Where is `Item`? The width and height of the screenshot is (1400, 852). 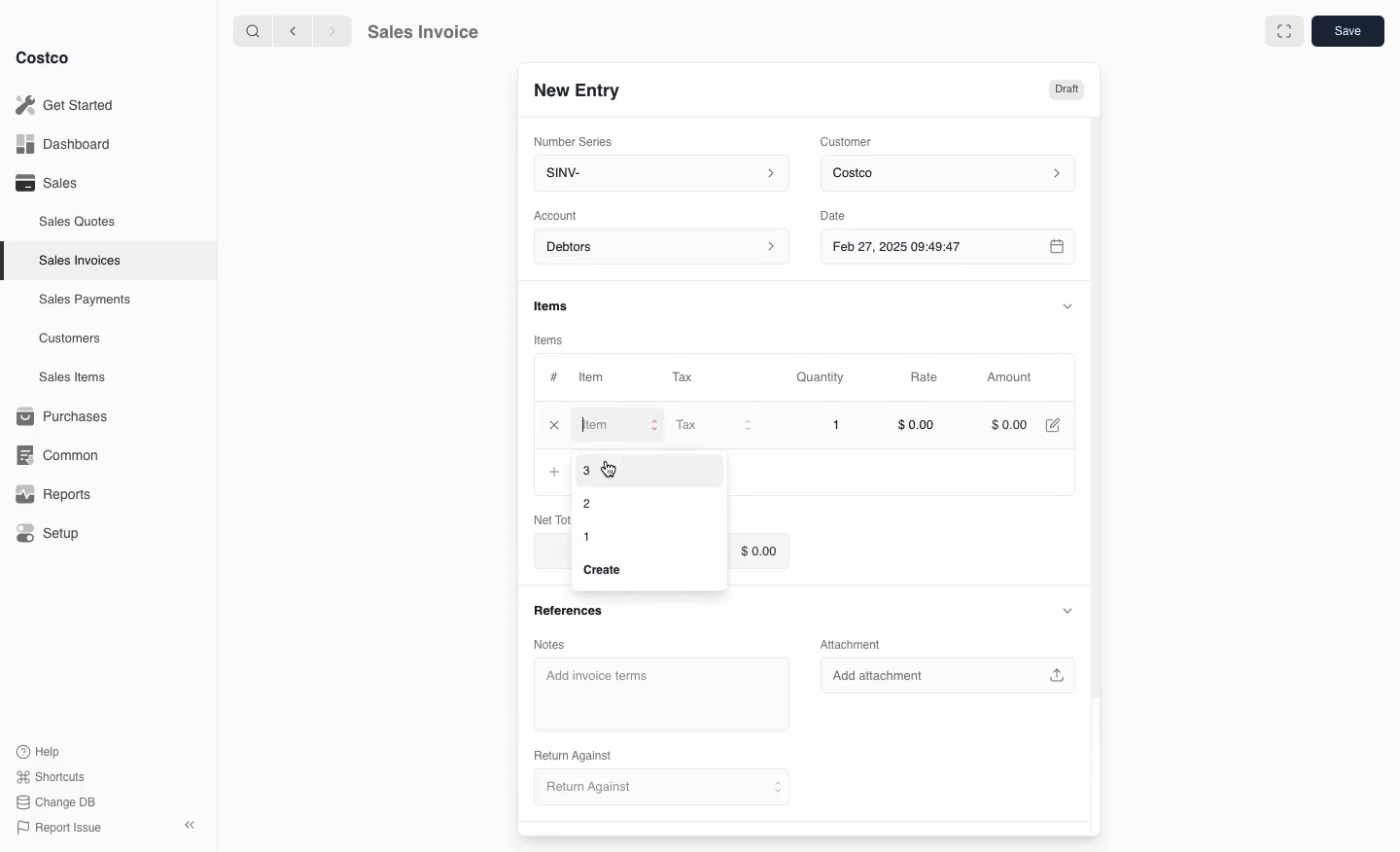 Item is located at coordinates (622, 424).